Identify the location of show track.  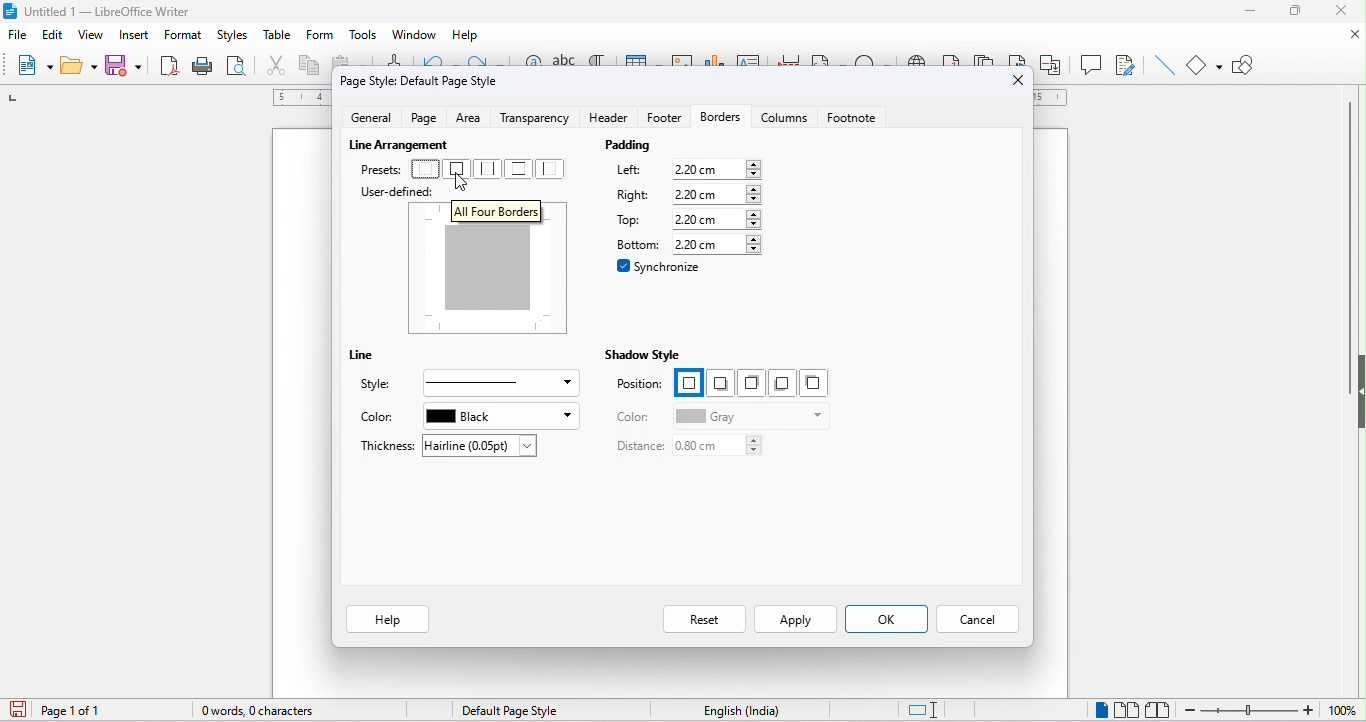
(1122, 64).